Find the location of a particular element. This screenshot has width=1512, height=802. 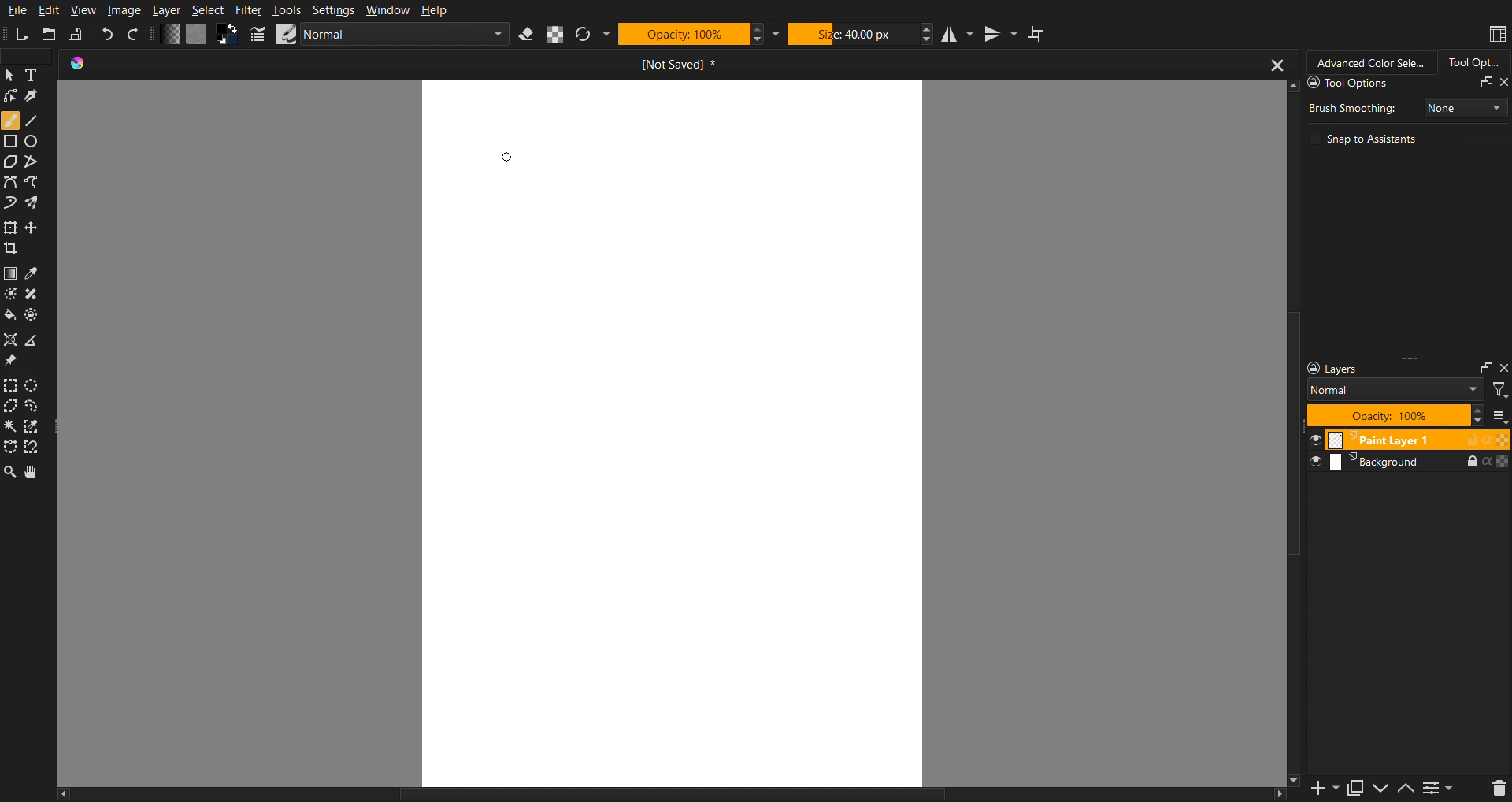

Selection Tools is located at coordinates (10, 449).